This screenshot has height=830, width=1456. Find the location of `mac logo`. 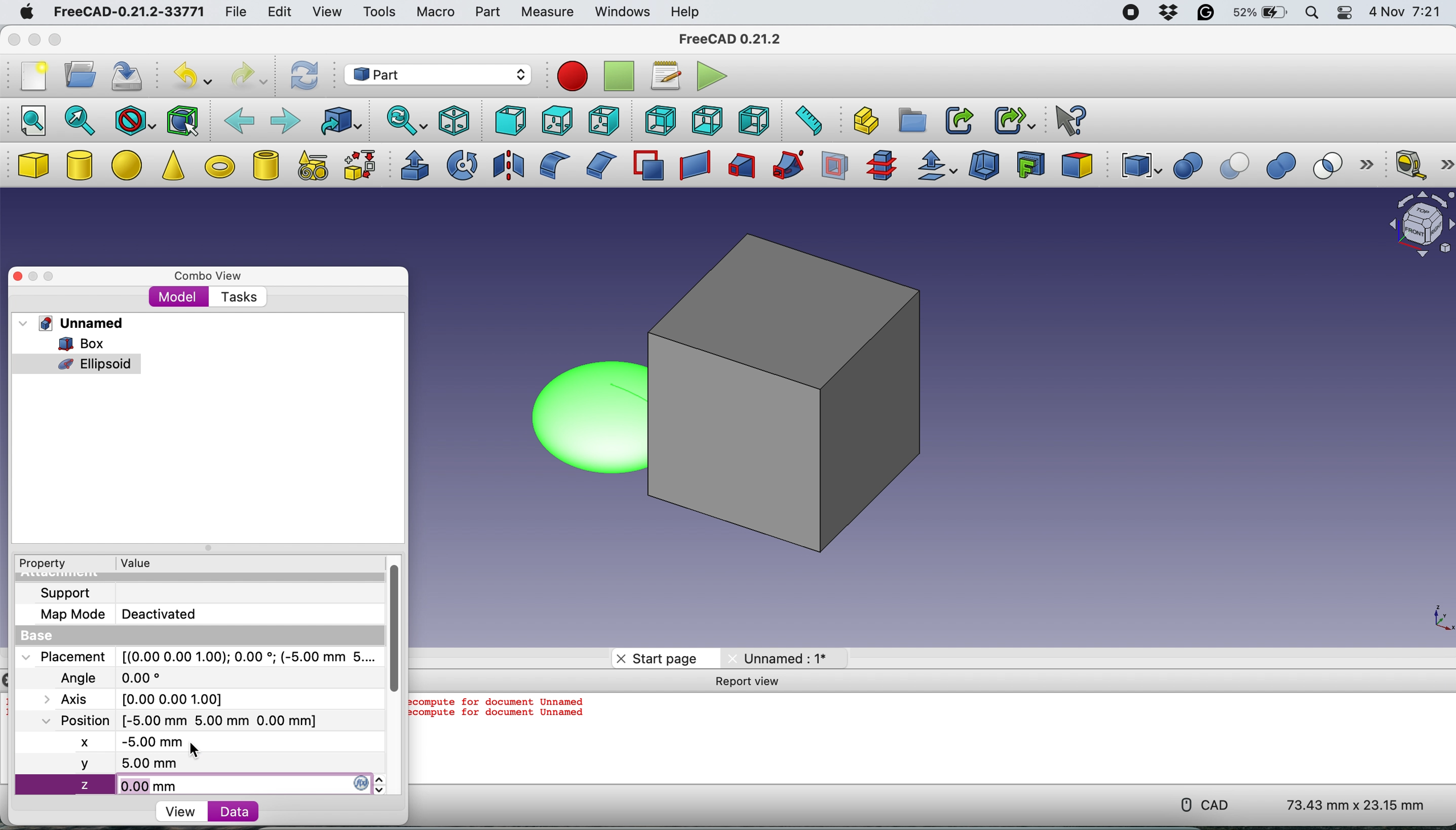

mac logo is located at coordinates (24, 13).